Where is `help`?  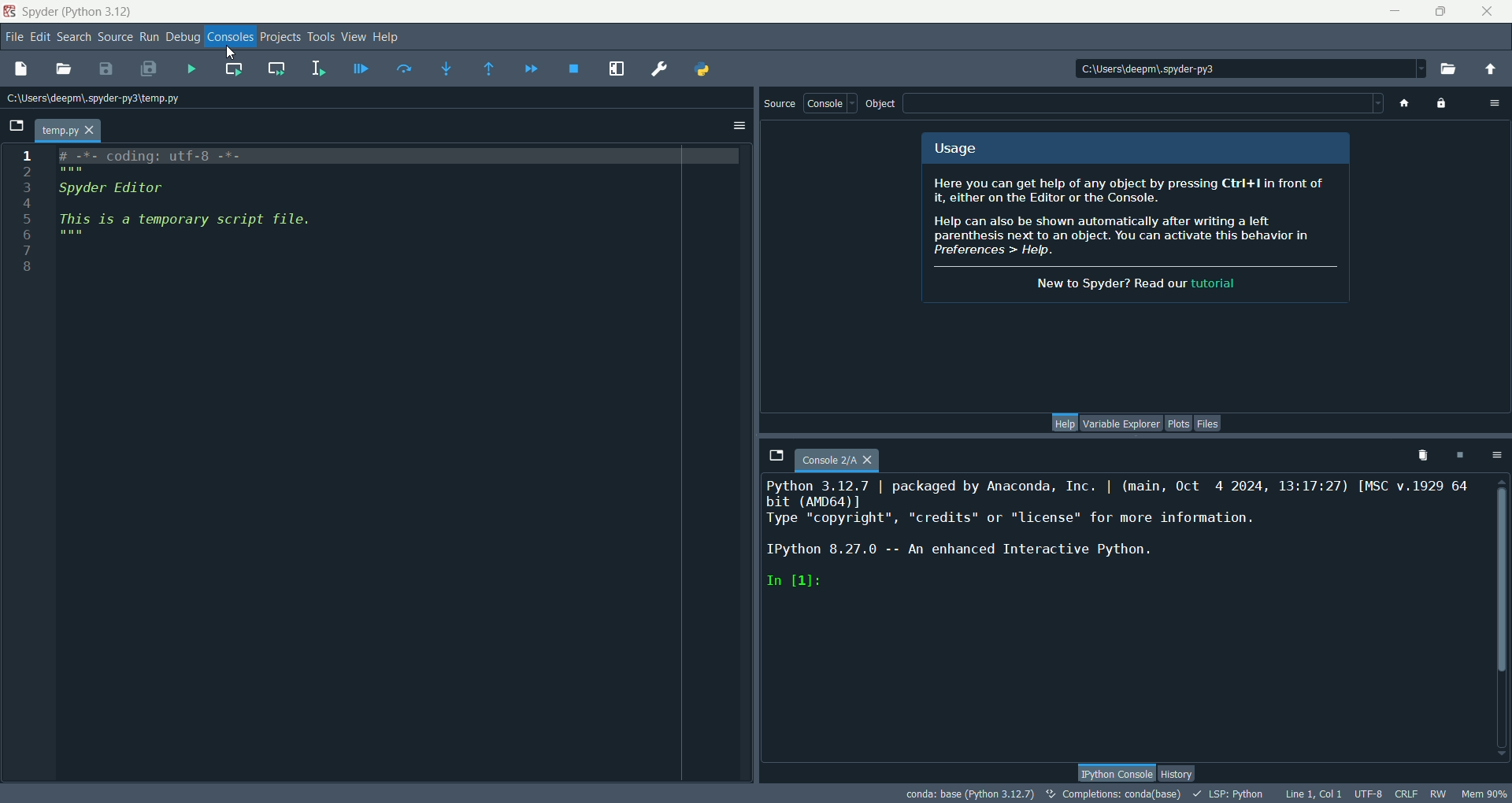
help is located at coordinates (1065, 423).